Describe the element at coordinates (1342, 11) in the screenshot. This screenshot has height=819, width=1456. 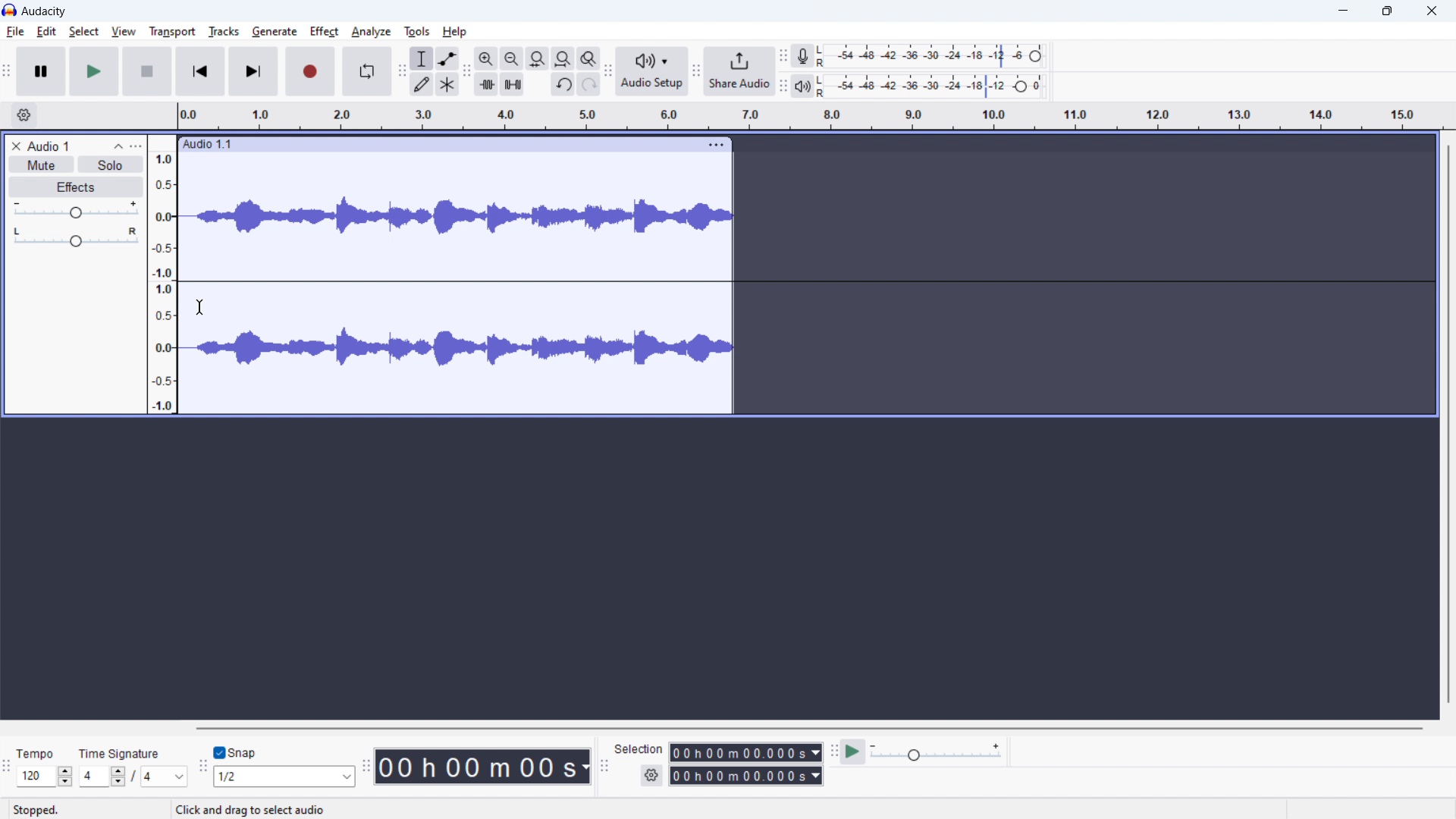
I see `minimize` at that location.